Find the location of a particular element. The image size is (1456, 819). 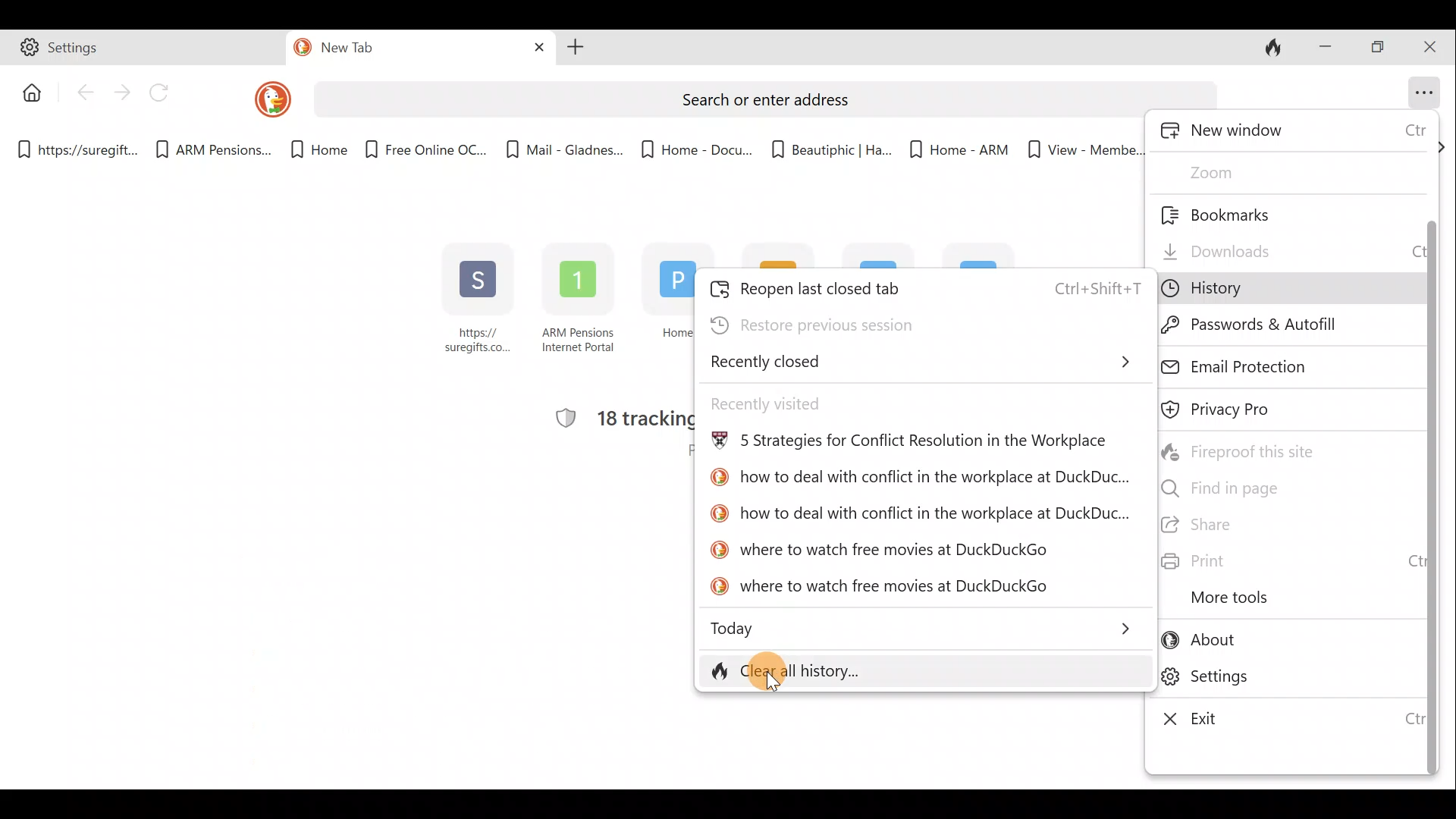

Reload is located at coordinates (166, 93).